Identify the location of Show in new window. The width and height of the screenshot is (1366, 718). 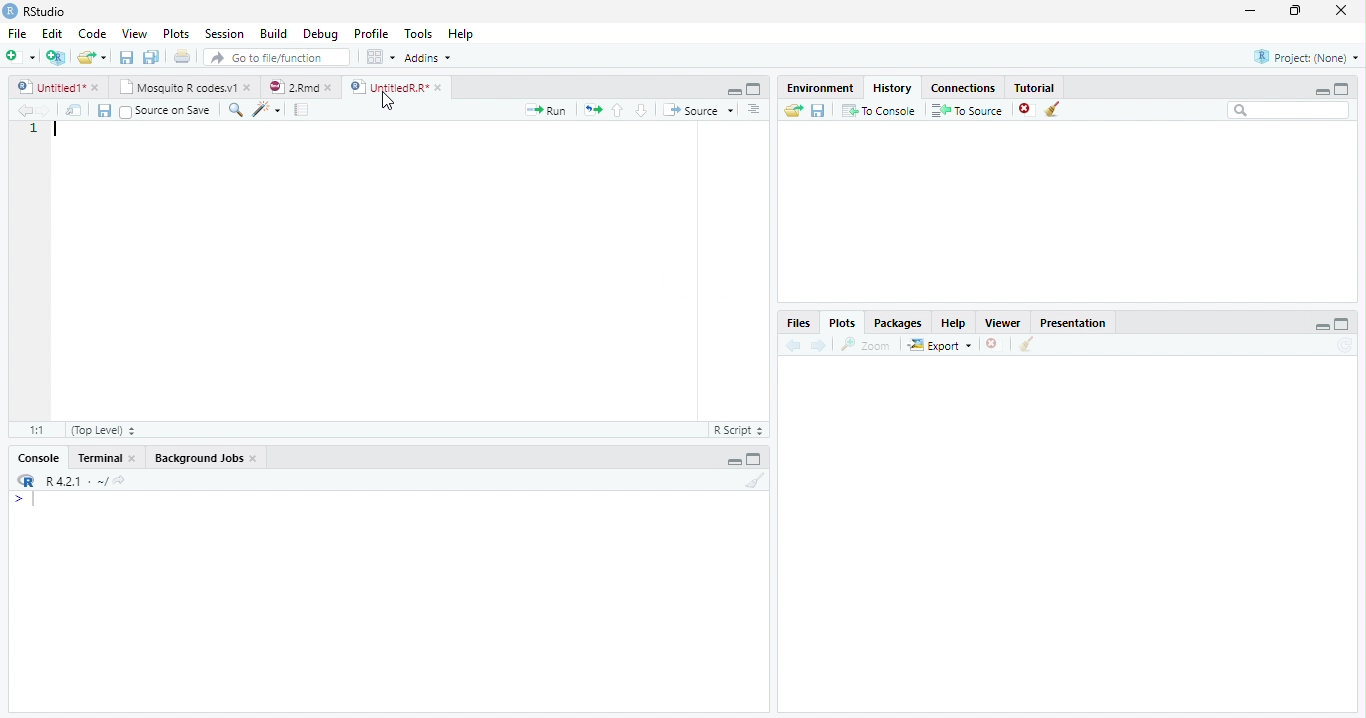
(73, 111).